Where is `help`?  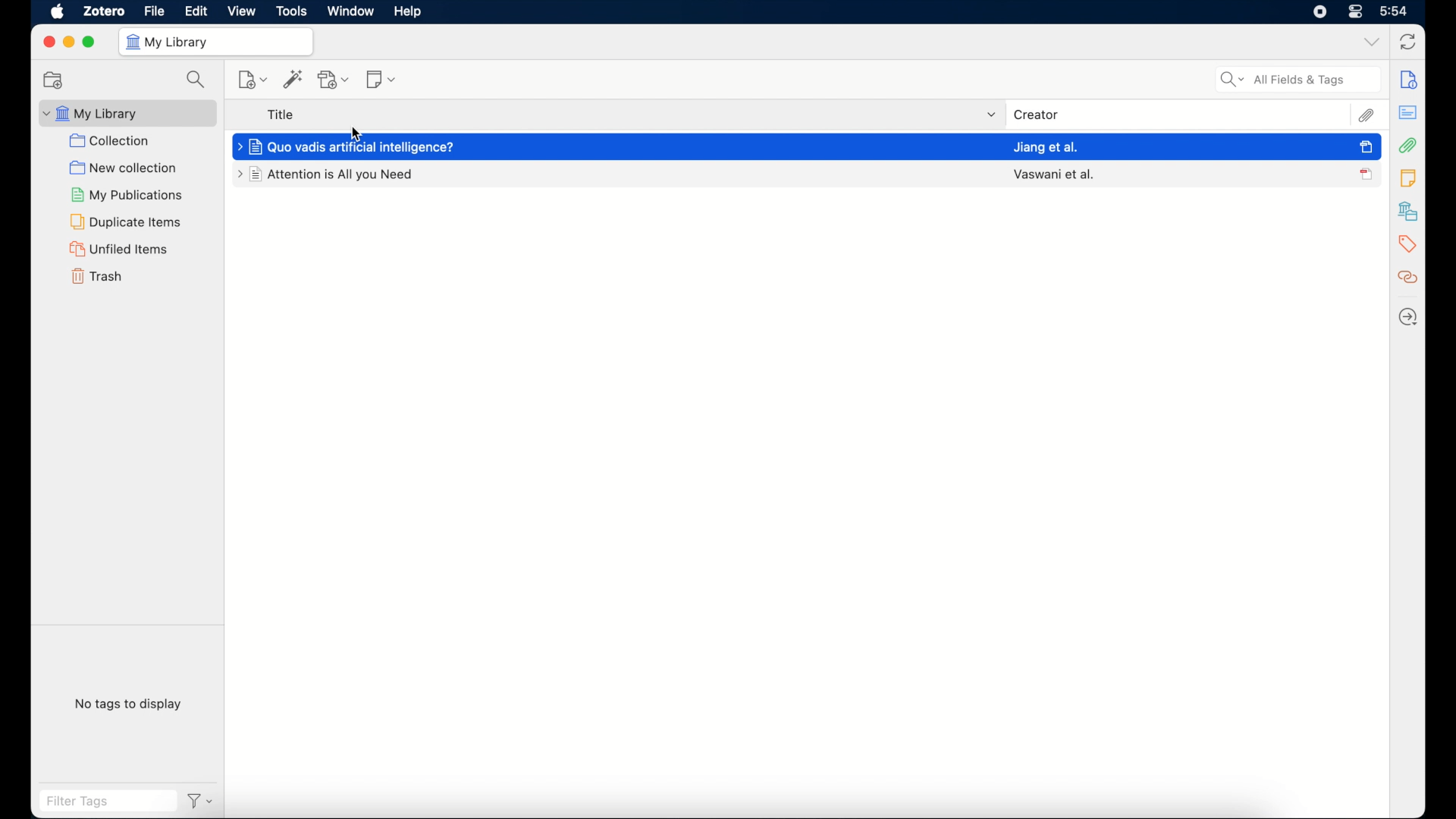
help is located at coordinates (410, 11).